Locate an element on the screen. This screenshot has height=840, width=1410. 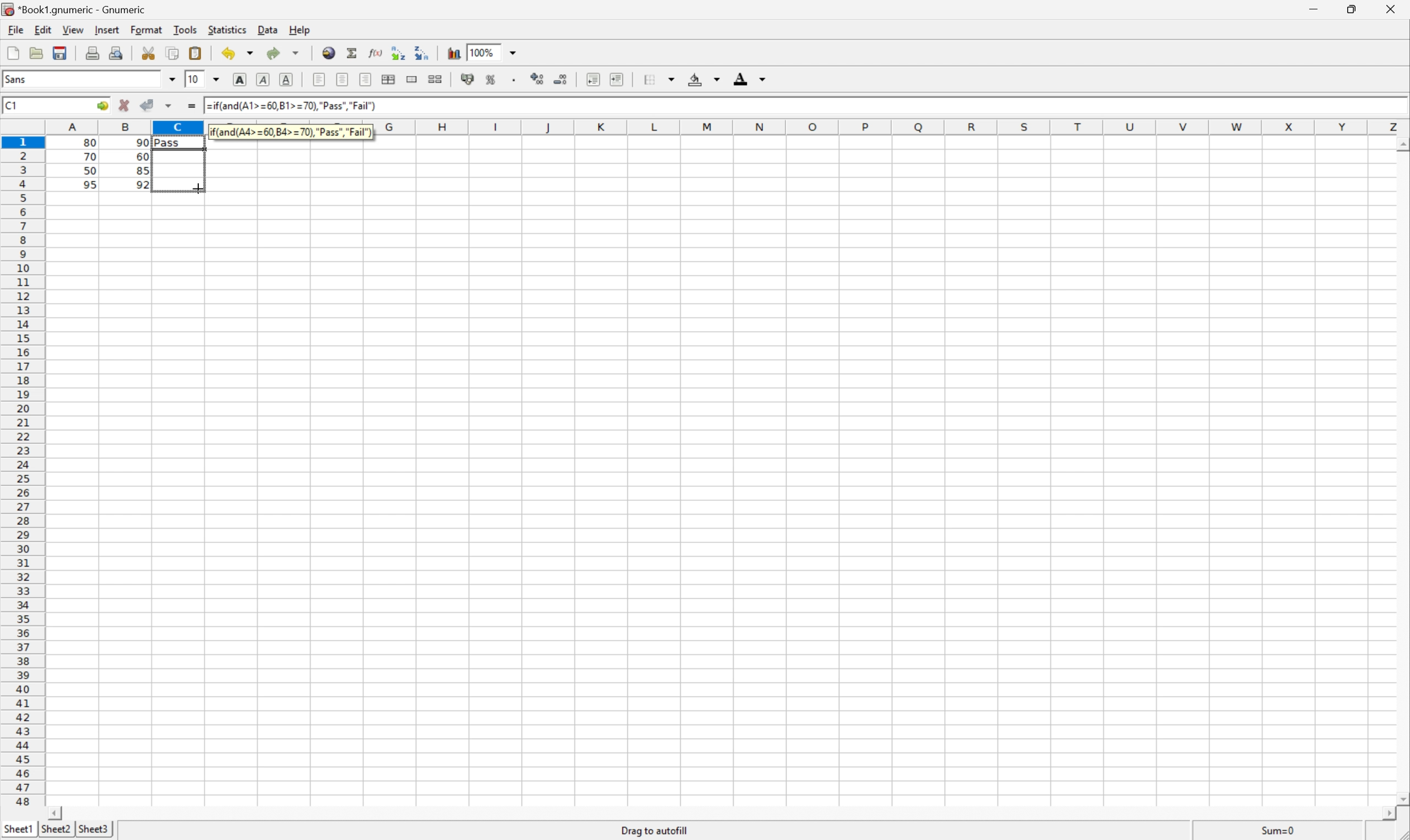
Drop Down is located at coordinates (173, 80).